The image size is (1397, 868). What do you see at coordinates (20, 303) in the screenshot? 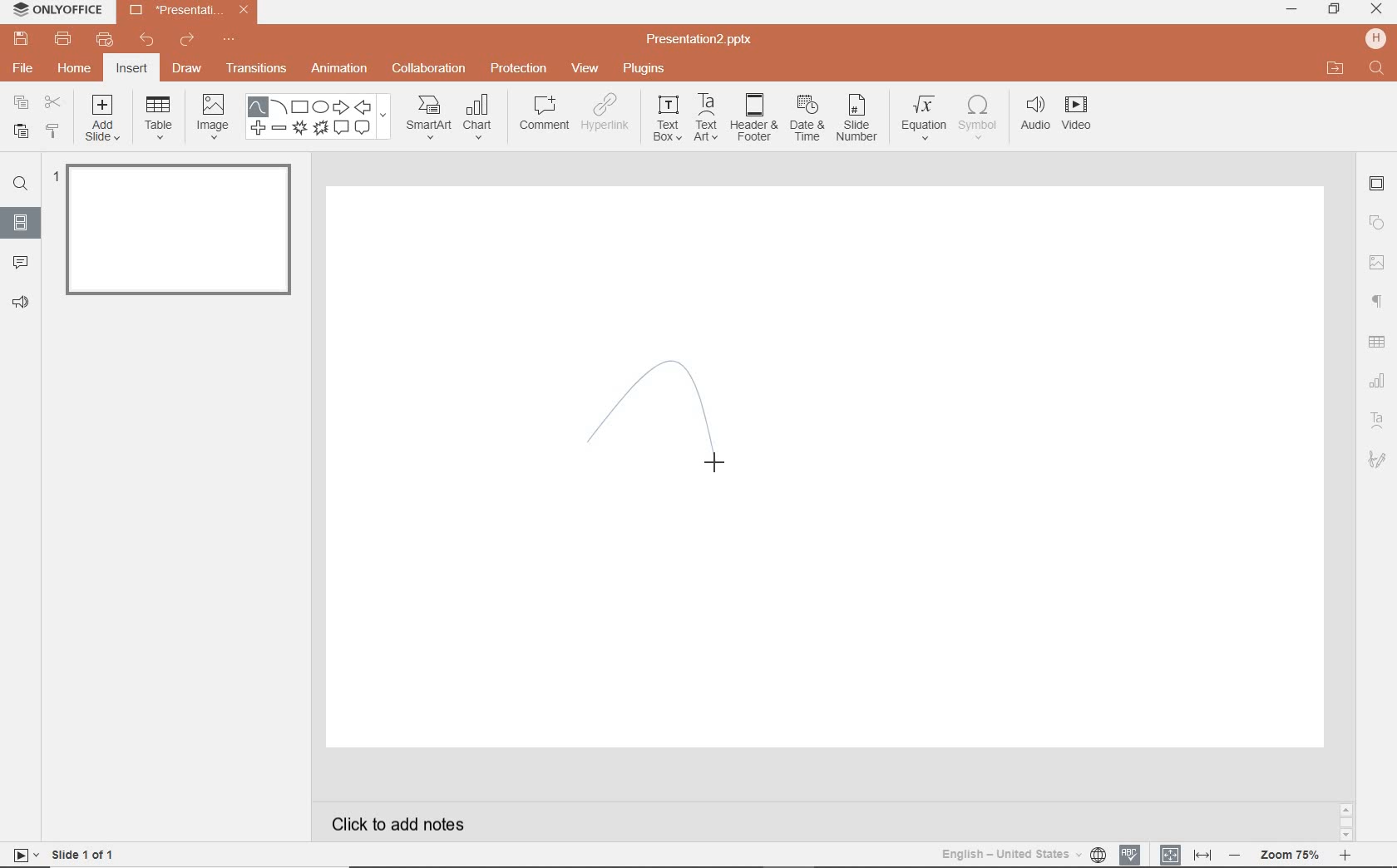
I see `FEEDBACK & SUPPORT` at bounding box center [20, 303].